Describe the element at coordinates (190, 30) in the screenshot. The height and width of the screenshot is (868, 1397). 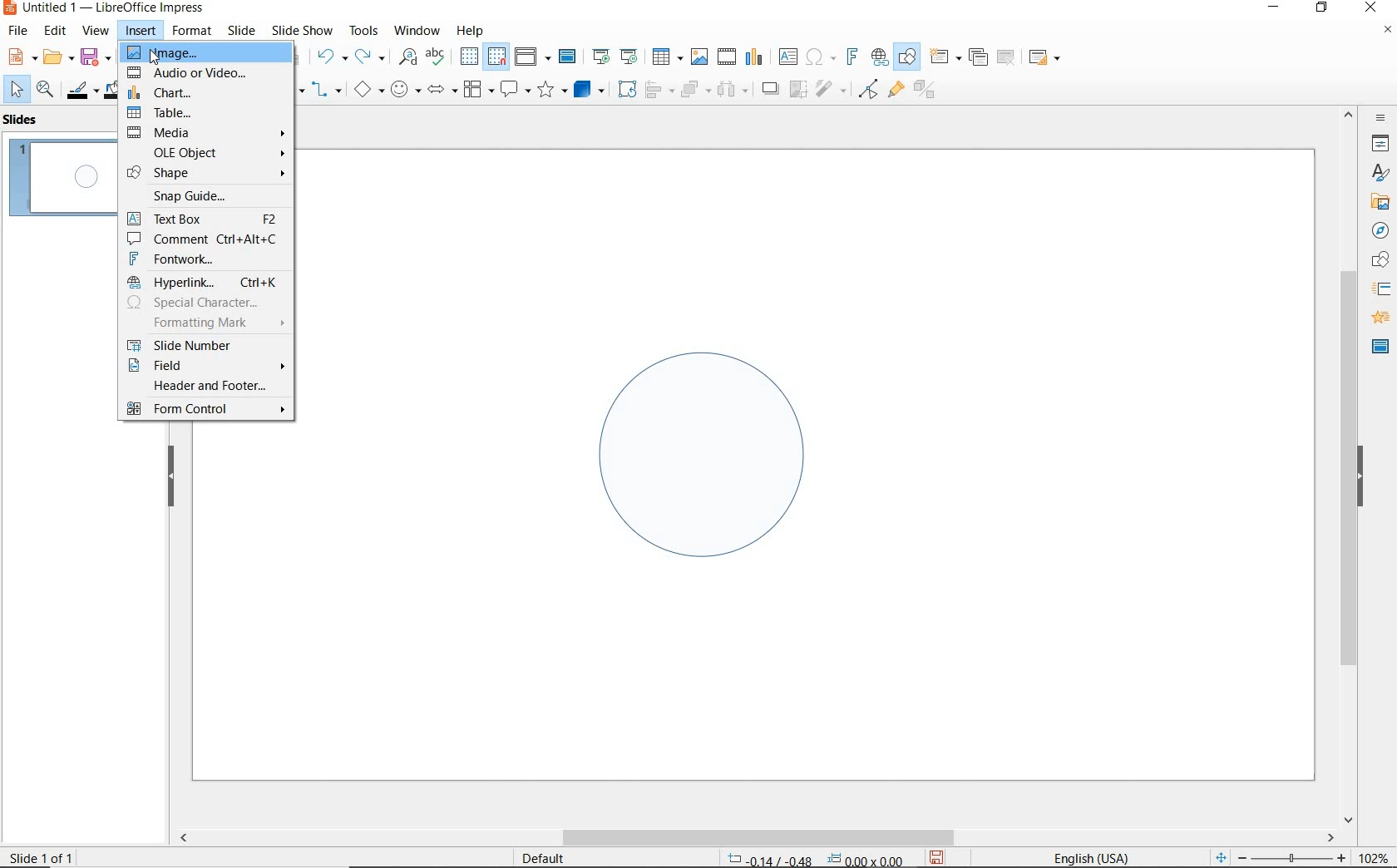
I see `format` at that location.